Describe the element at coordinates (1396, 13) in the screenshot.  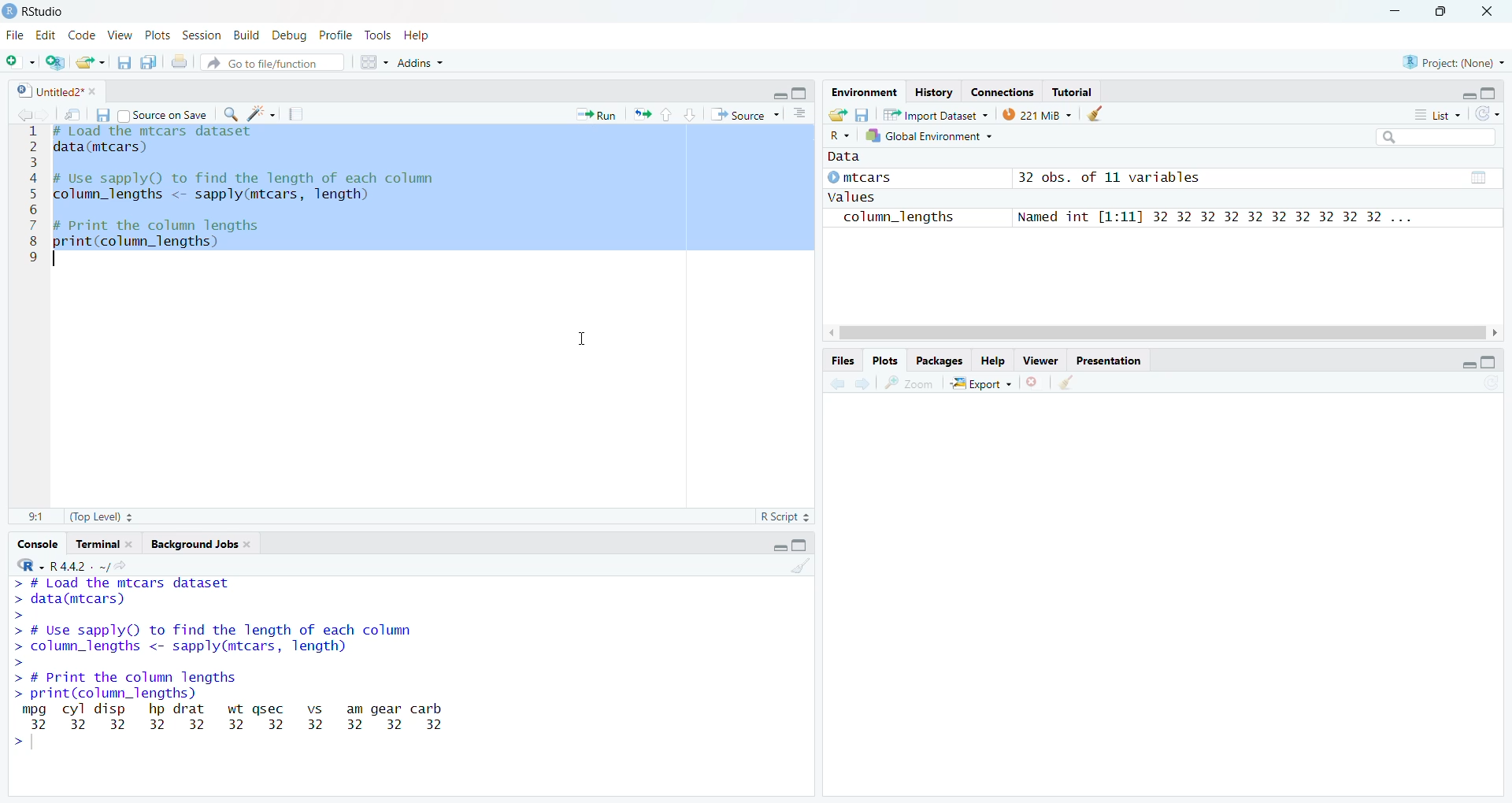
I see `Minimize` at that location.